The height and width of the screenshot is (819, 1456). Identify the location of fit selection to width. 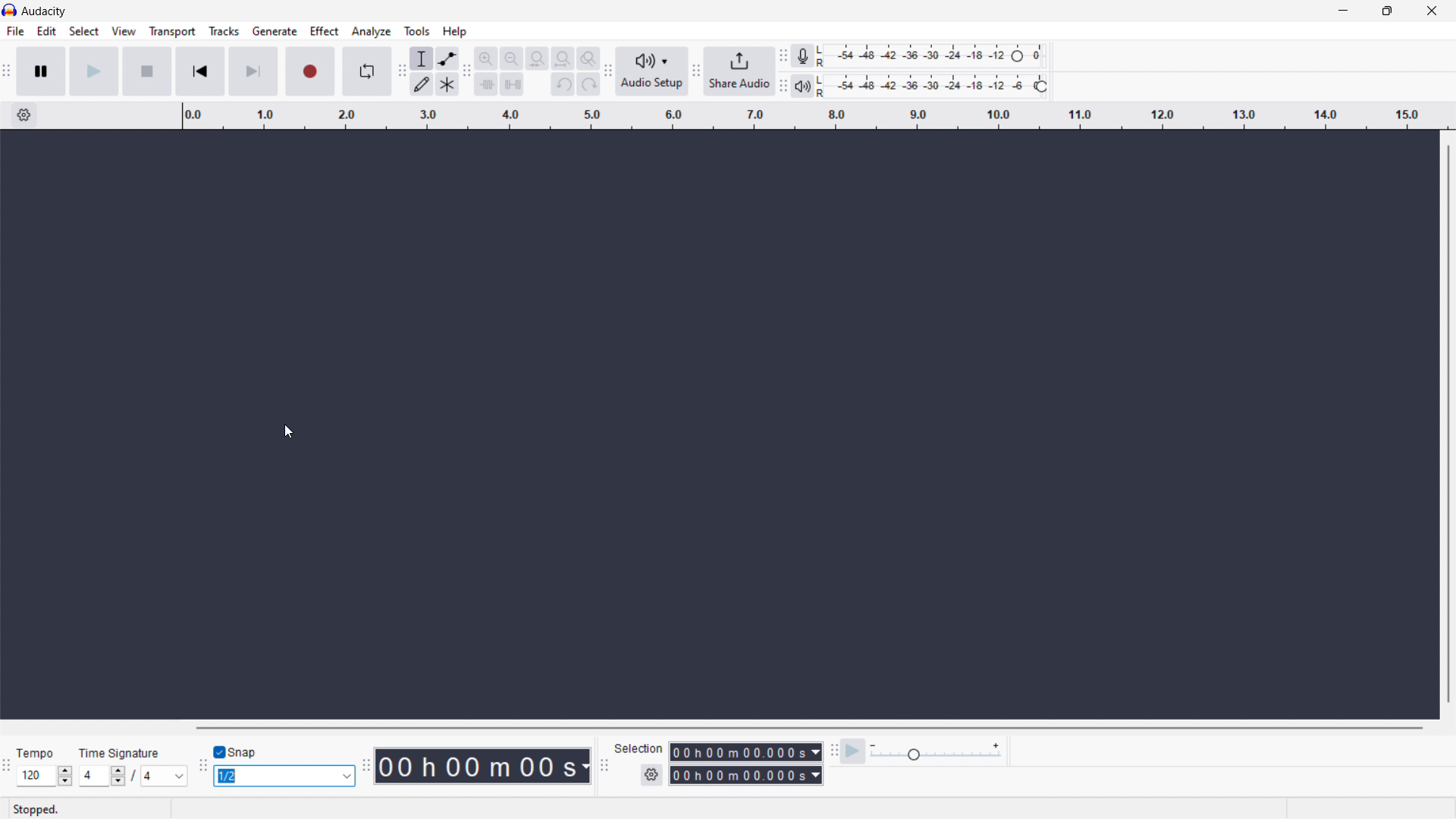
(537, 58).